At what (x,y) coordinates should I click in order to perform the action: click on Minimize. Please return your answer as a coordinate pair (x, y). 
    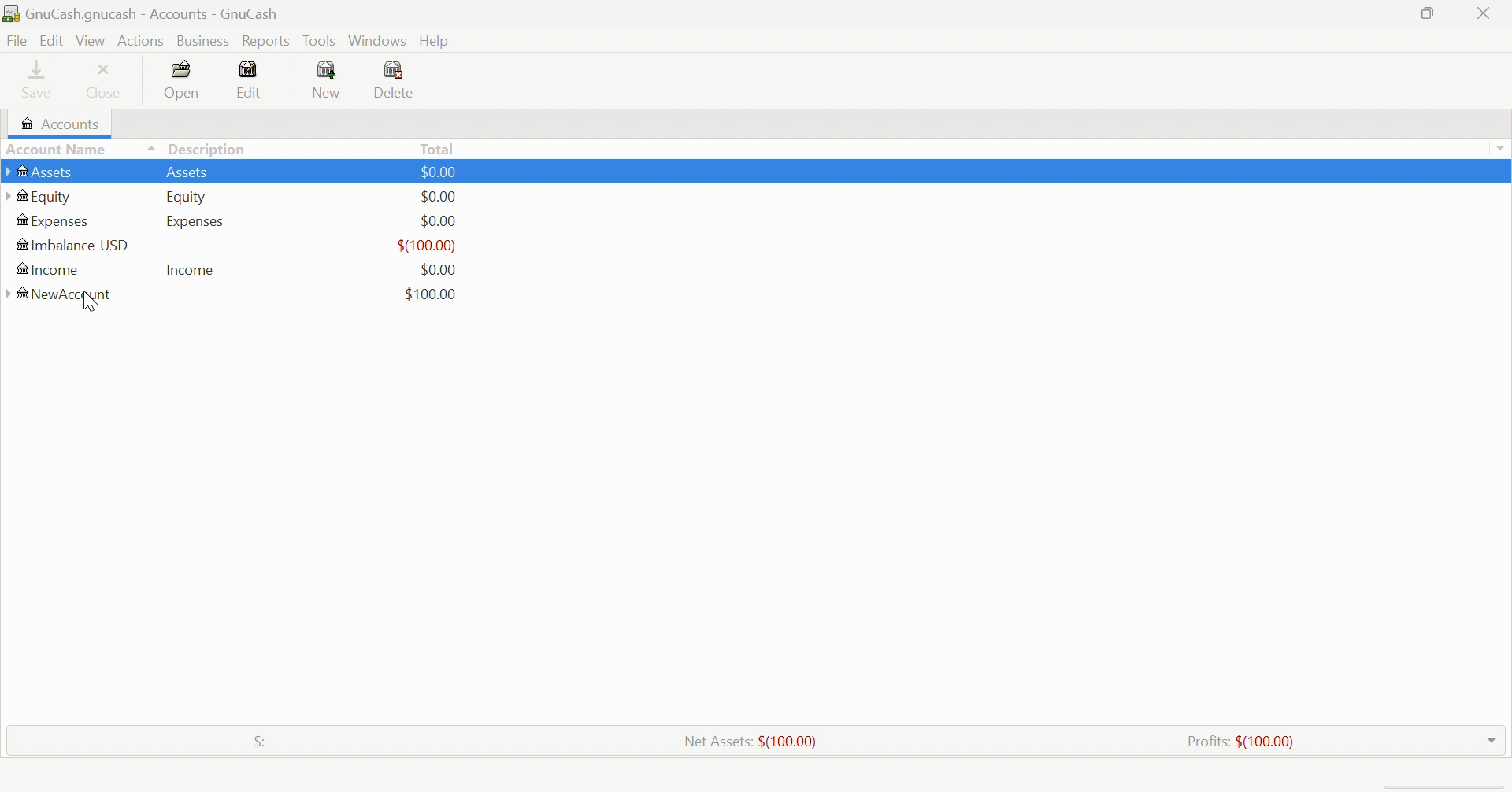
    Looking at the image, I should click on (1373, 13).